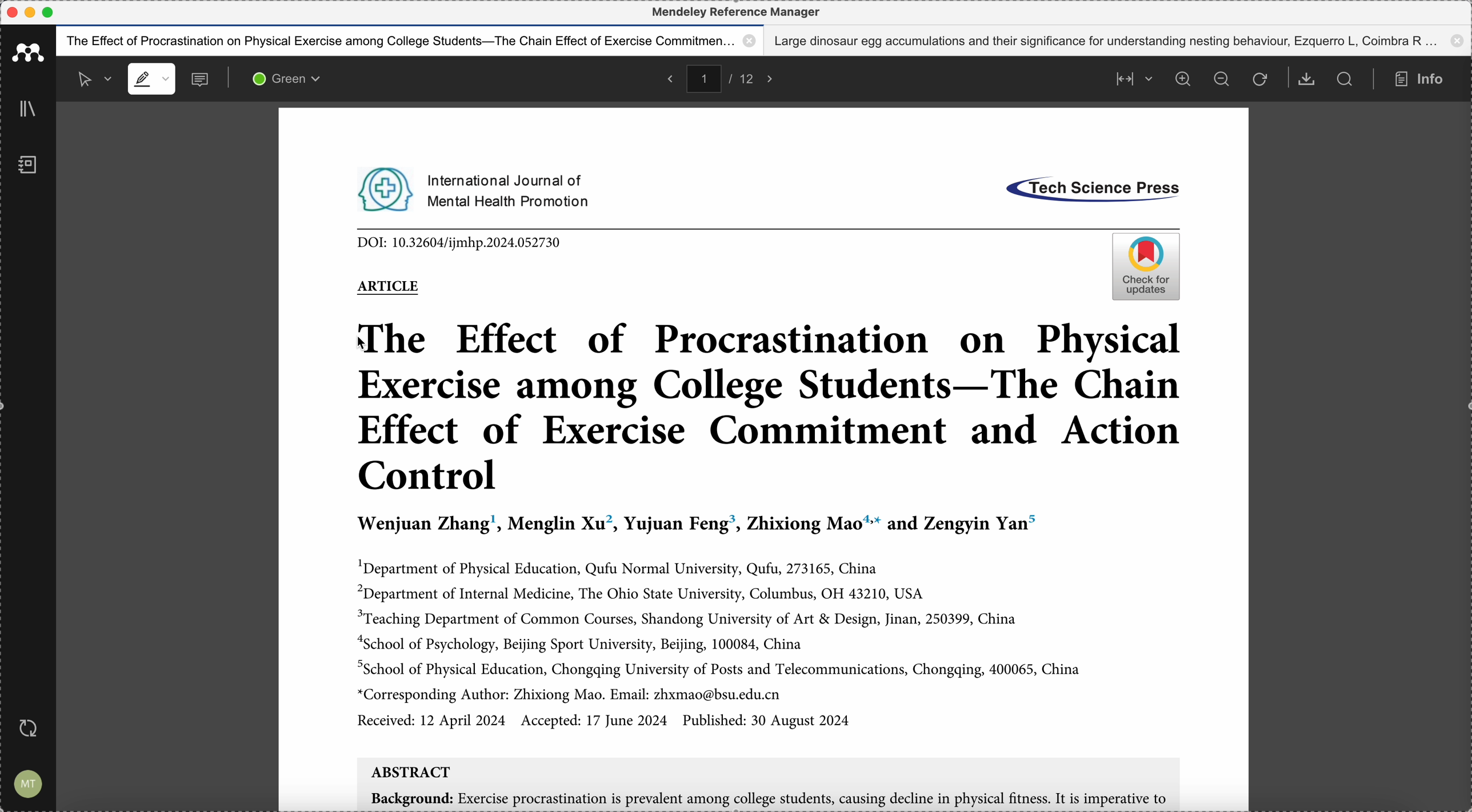 The image size is (1472, 812). I want to click on Mendeley reference manager, so click(736, 12).